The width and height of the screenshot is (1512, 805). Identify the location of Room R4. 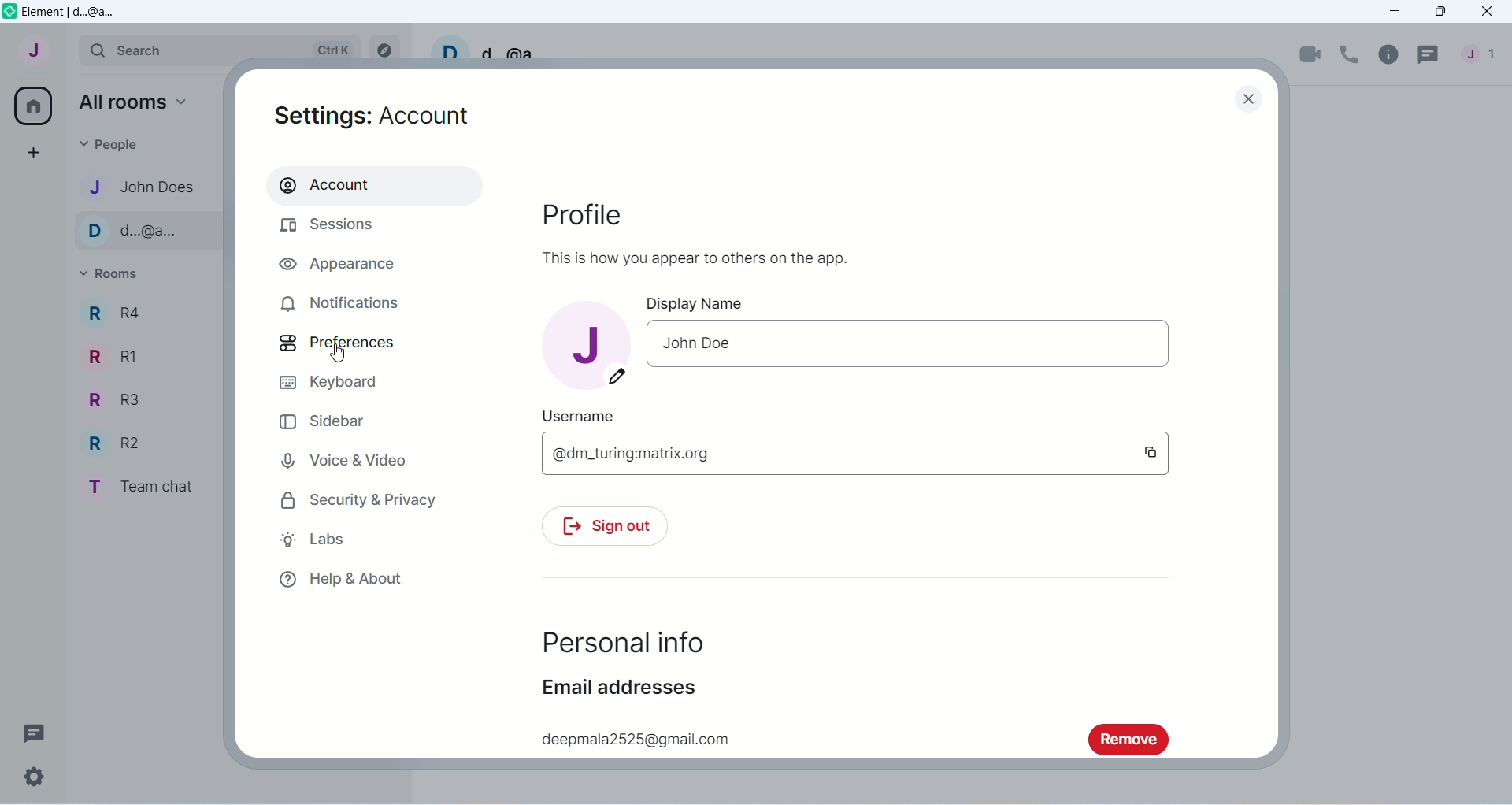
(113, 318).